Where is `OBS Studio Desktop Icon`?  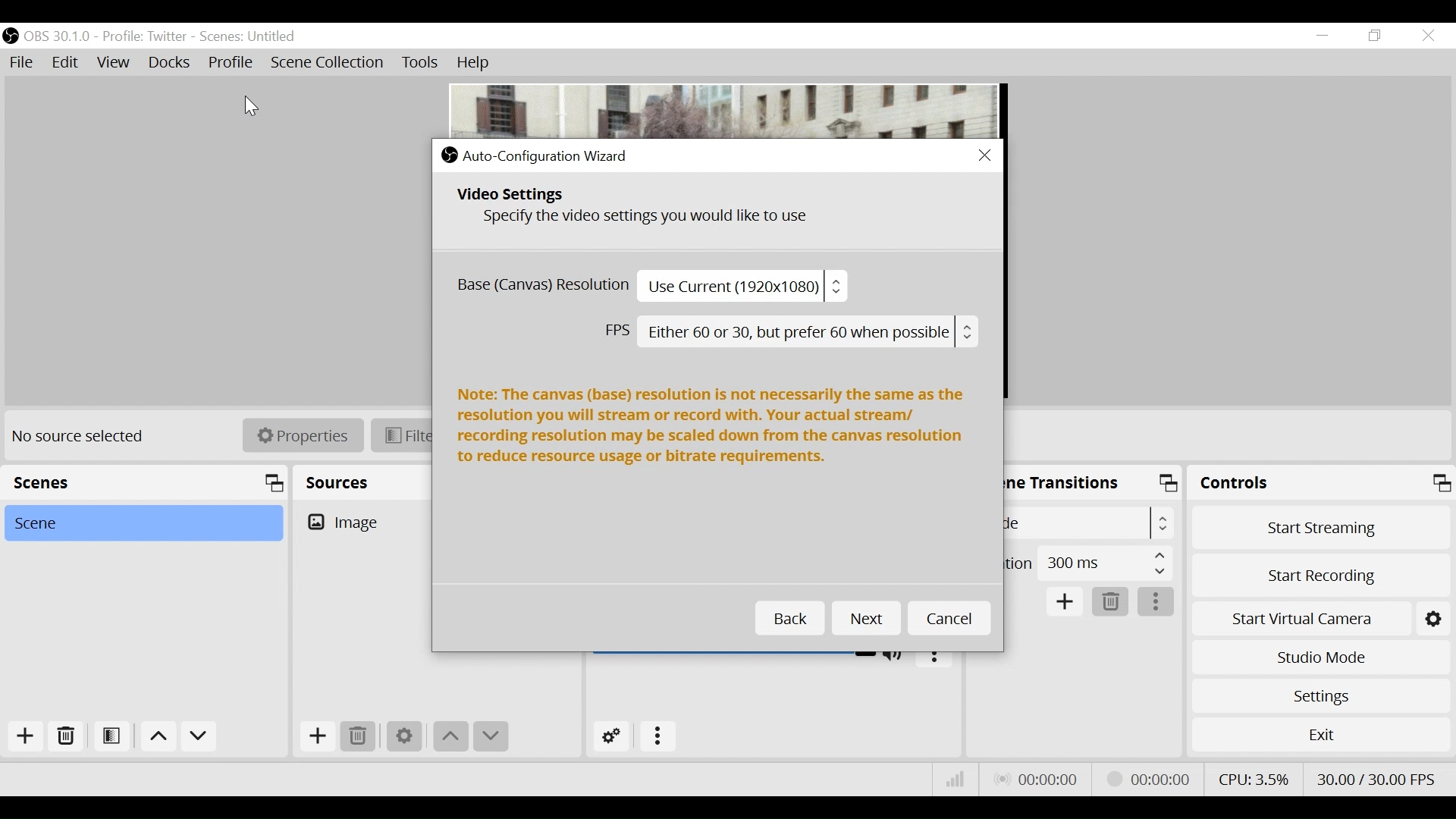 OBS Studio Desktop Icon is located at coordinates (11, 35).